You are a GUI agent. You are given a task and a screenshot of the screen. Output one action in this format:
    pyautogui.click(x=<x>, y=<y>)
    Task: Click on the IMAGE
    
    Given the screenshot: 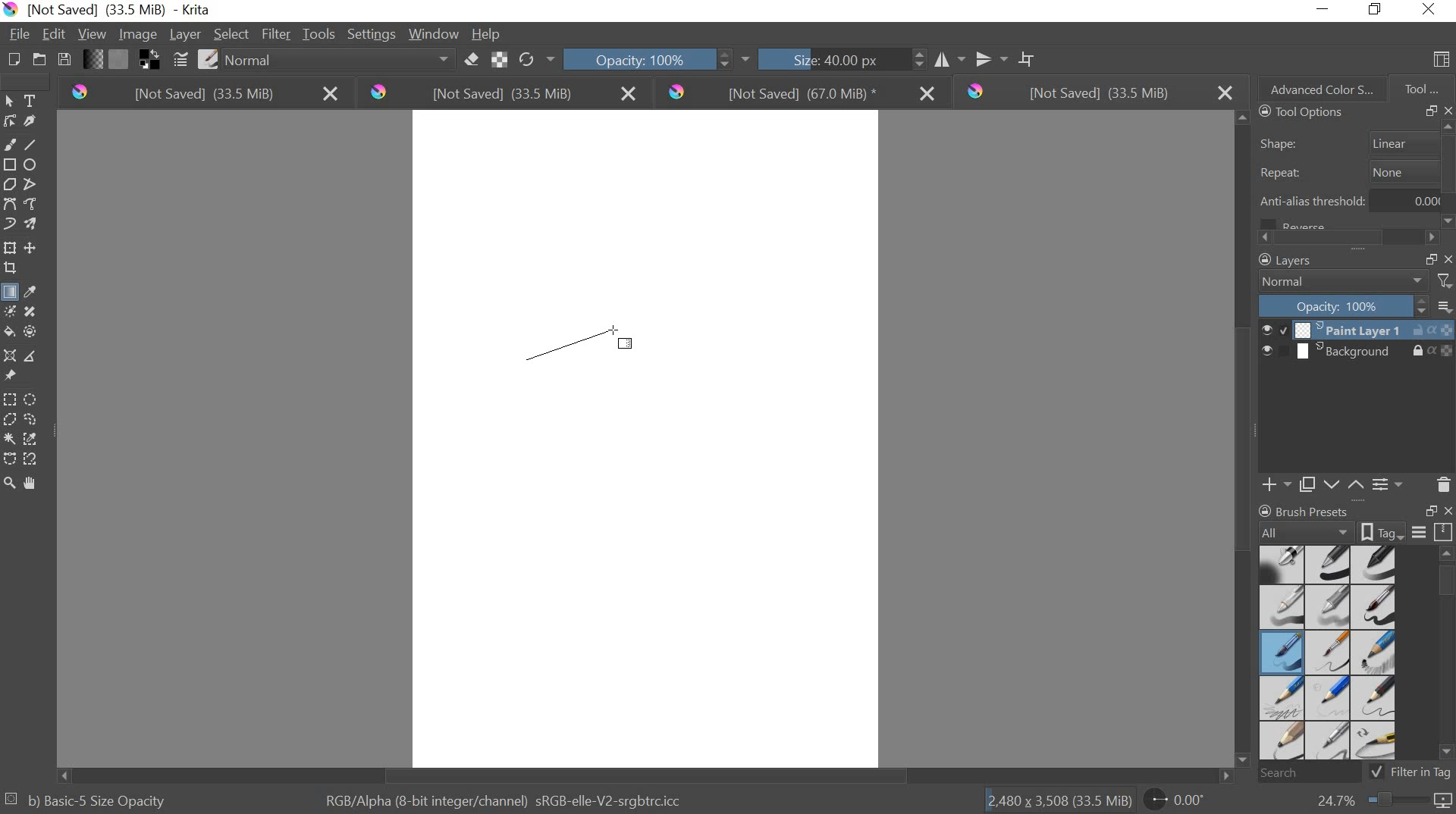 What is the action you would take?
    pyautogui.click(x=138, y=36)
    